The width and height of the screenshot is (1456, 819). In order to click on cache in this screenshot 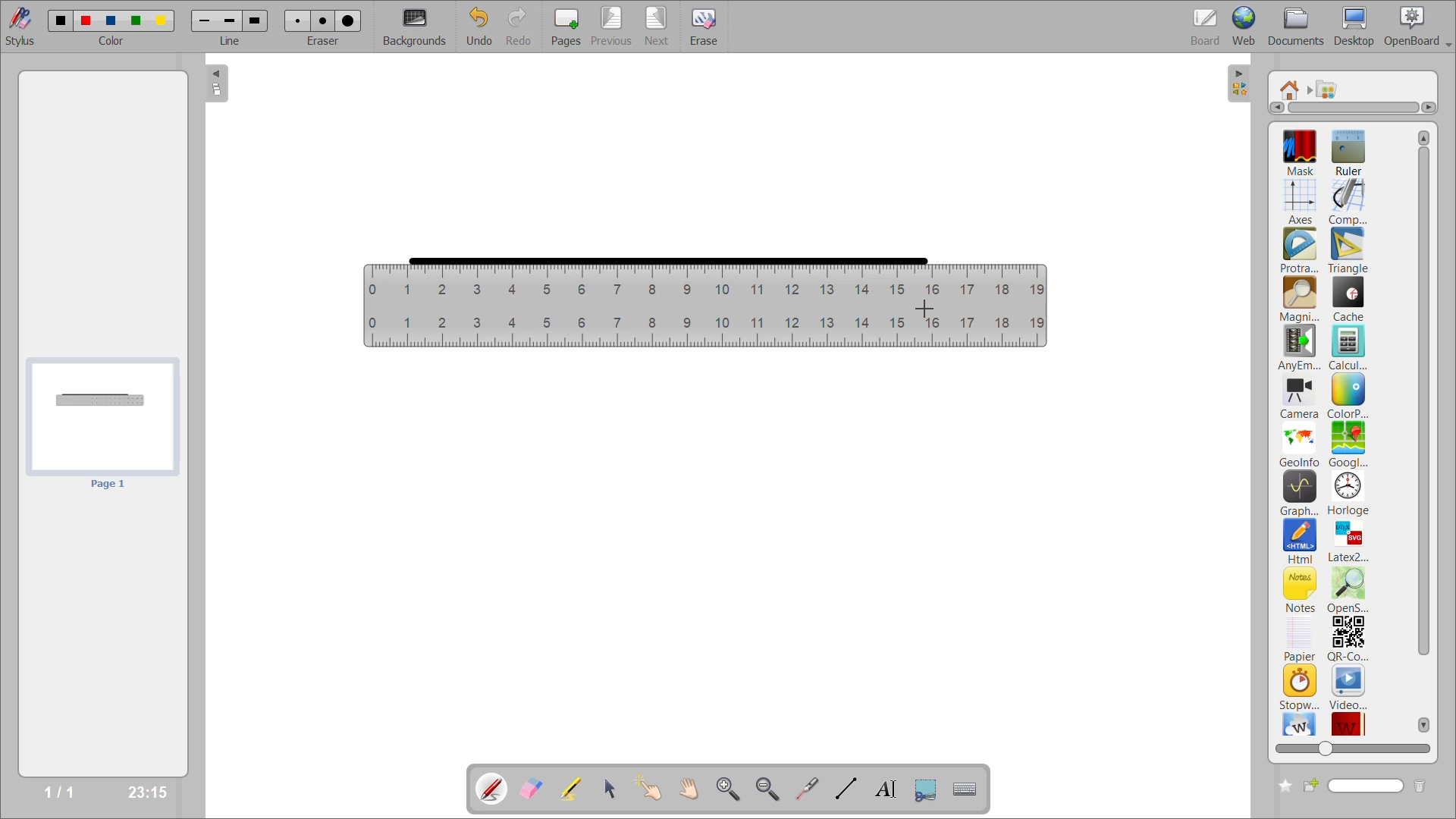, I will do `click(1349, 299)`.